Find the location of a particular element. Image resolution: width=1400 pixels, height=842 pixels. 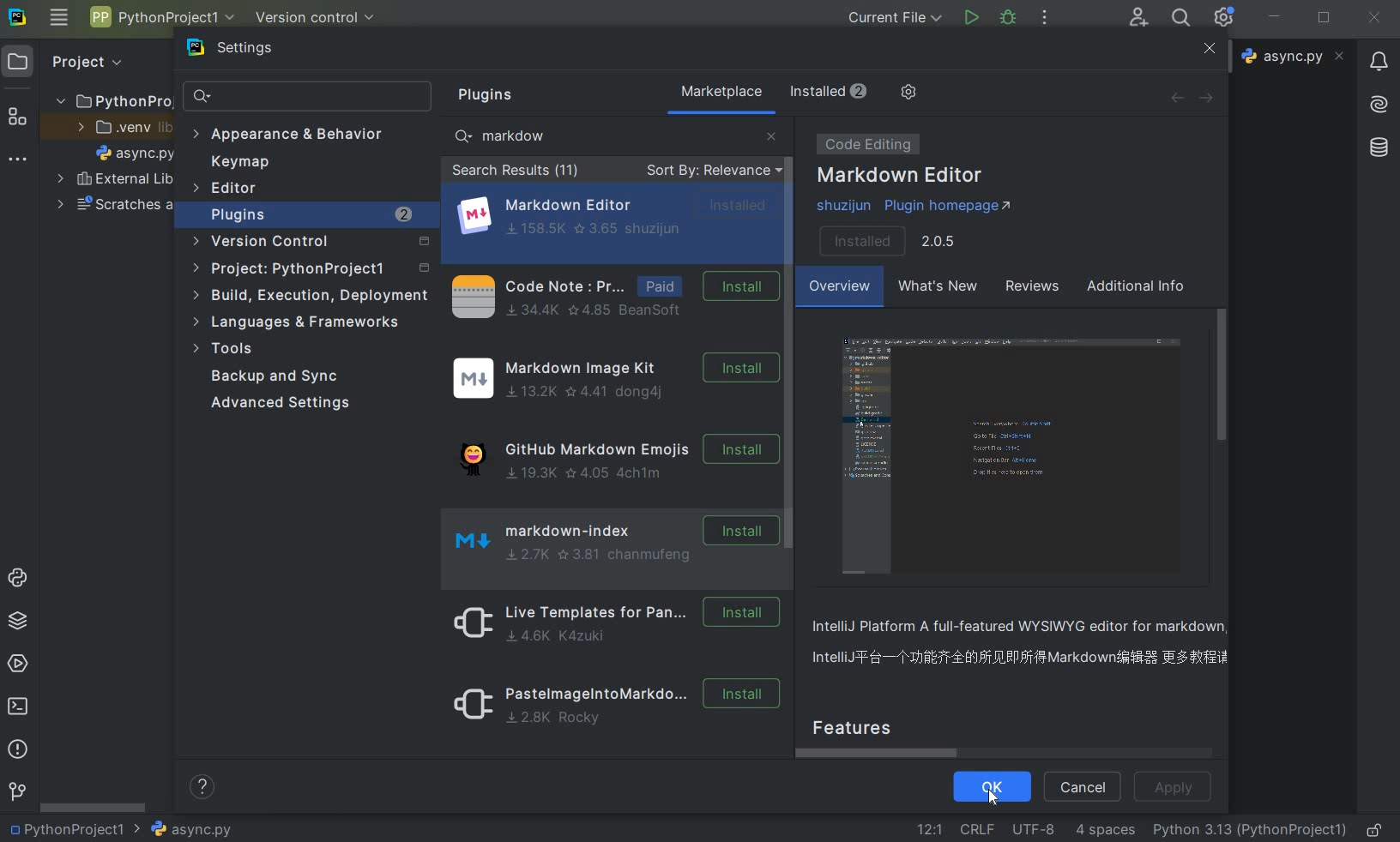

markdown editor is located at coordinates (617, 215).